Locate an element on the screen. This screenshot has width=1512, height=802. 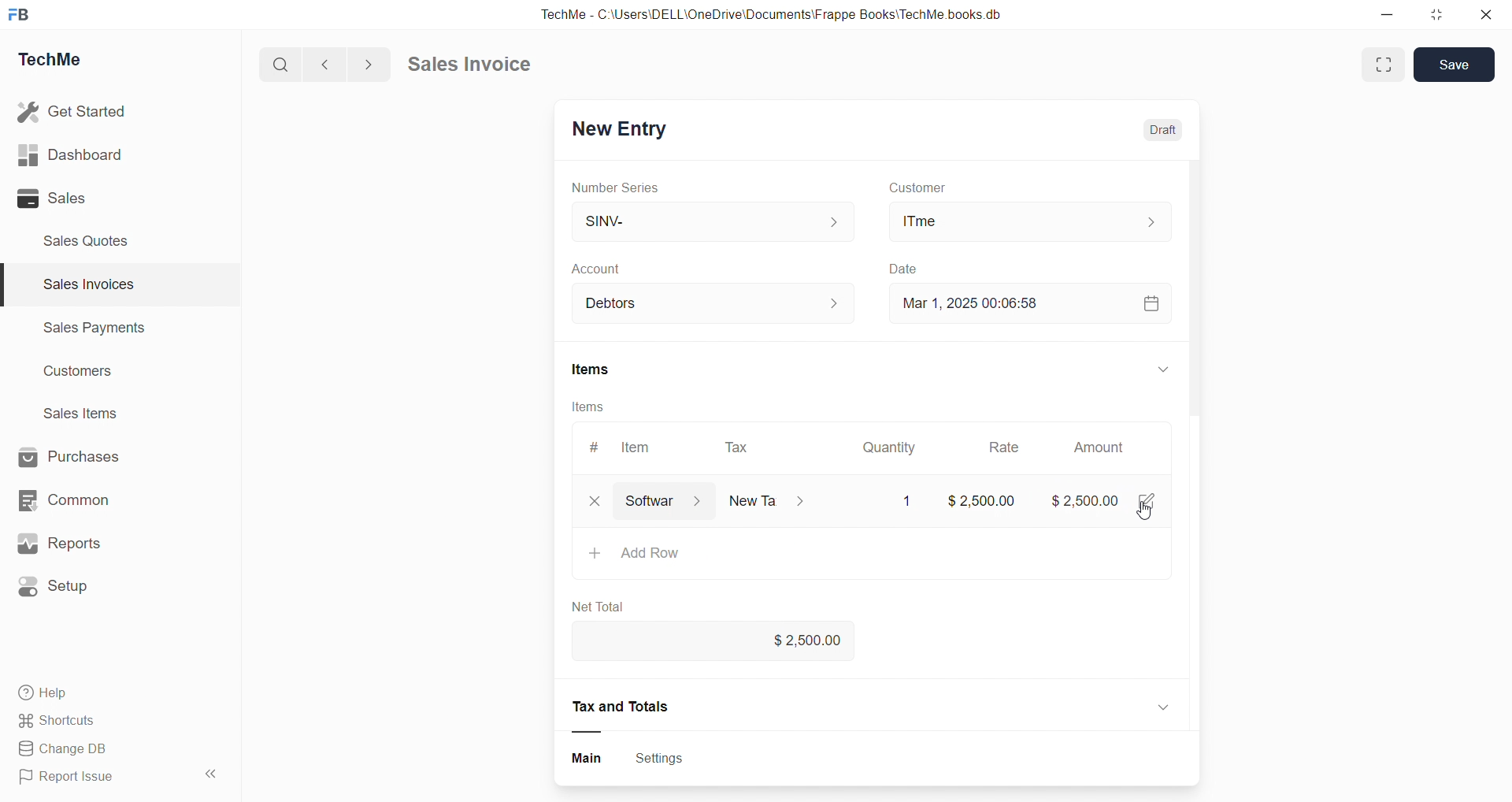
Amount is located at coordinates (1098, 448).